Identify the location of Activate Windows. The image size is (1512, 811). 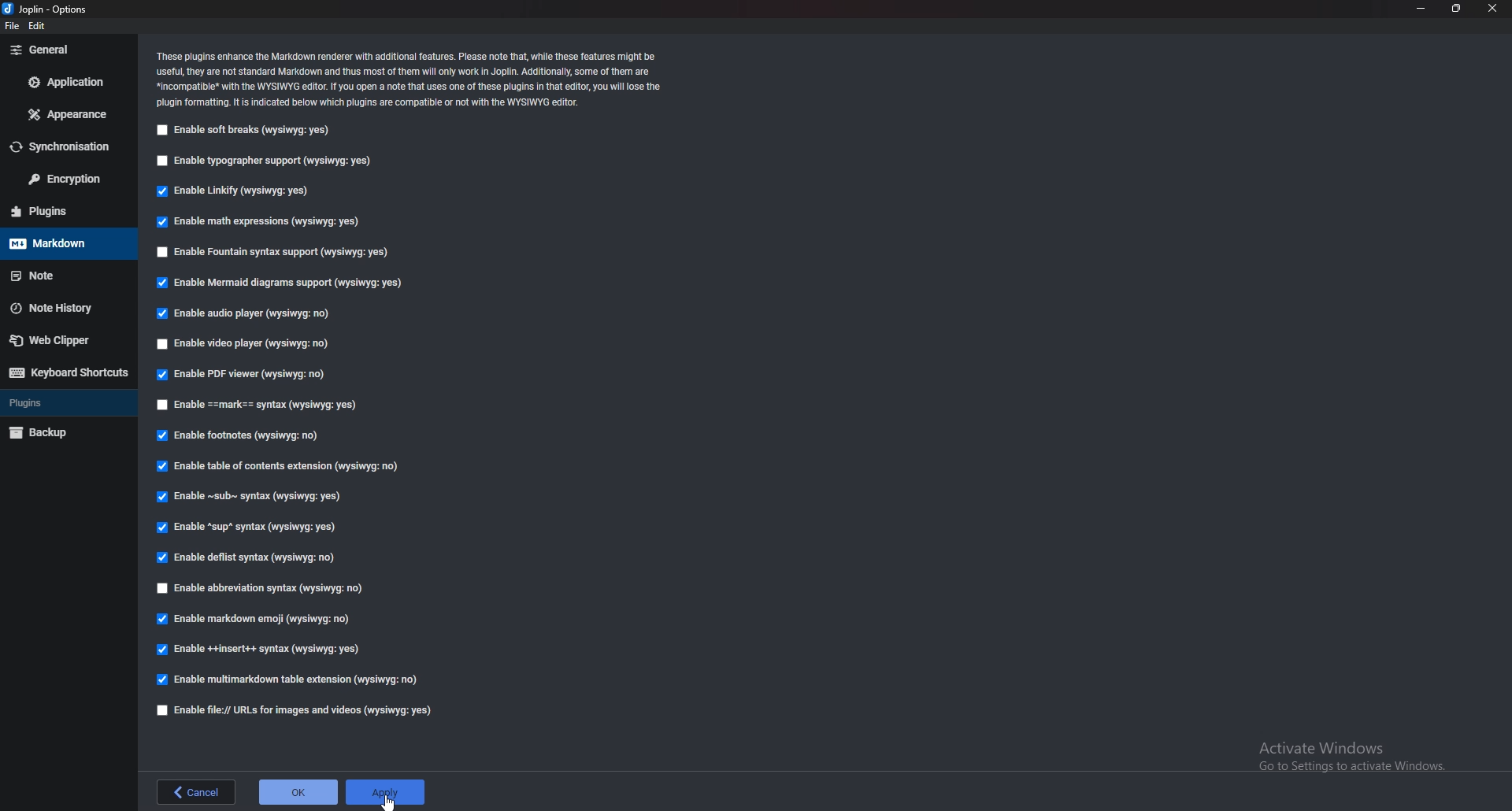
(1325, 746).